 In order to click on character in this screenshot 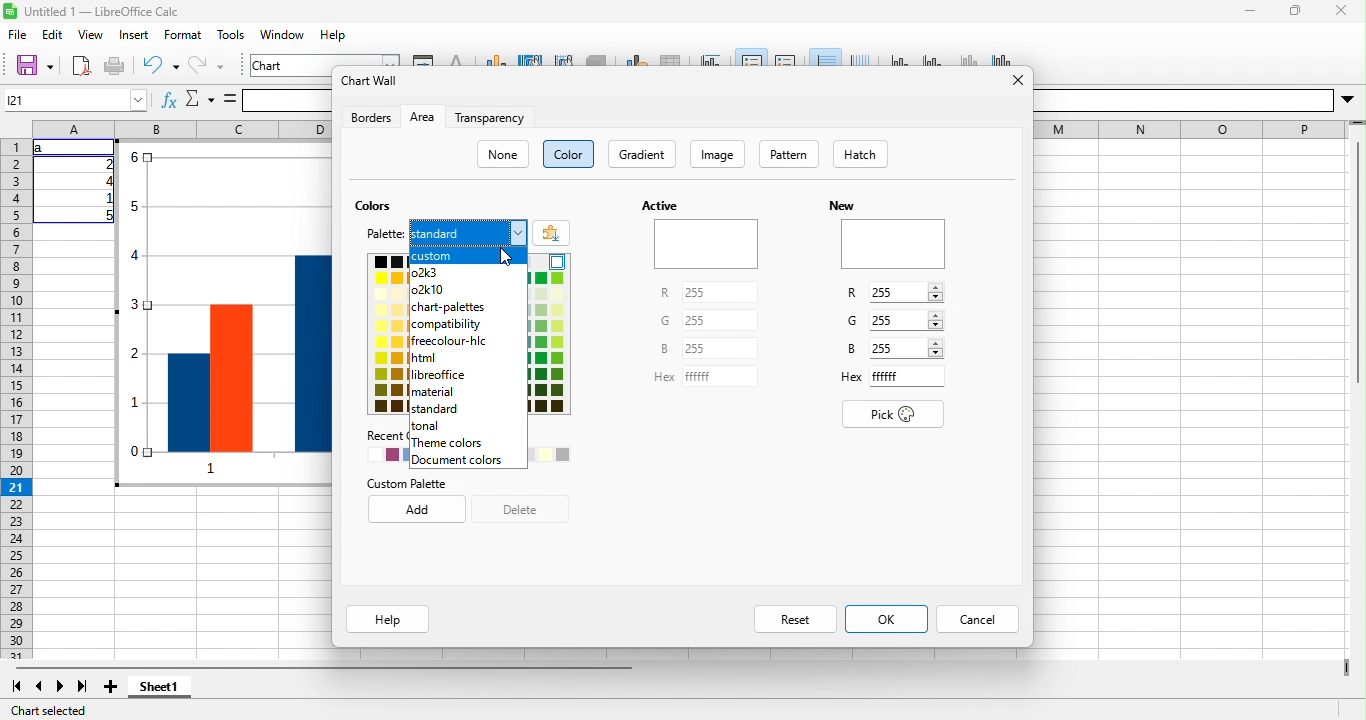, I will do `click(457, 59)`.